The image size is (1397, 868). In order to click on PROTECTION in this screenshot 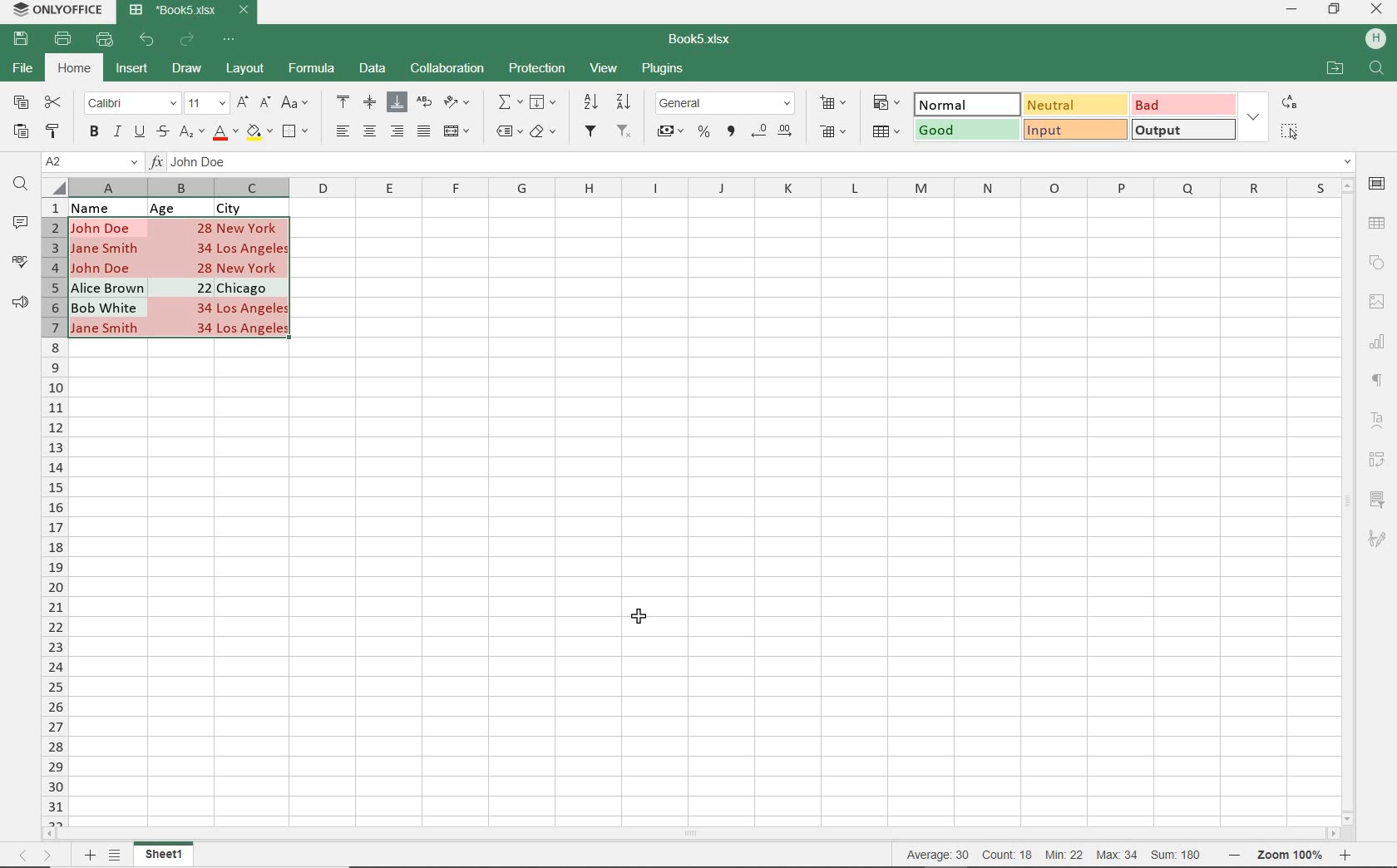, I will do `click(537, 68)`.